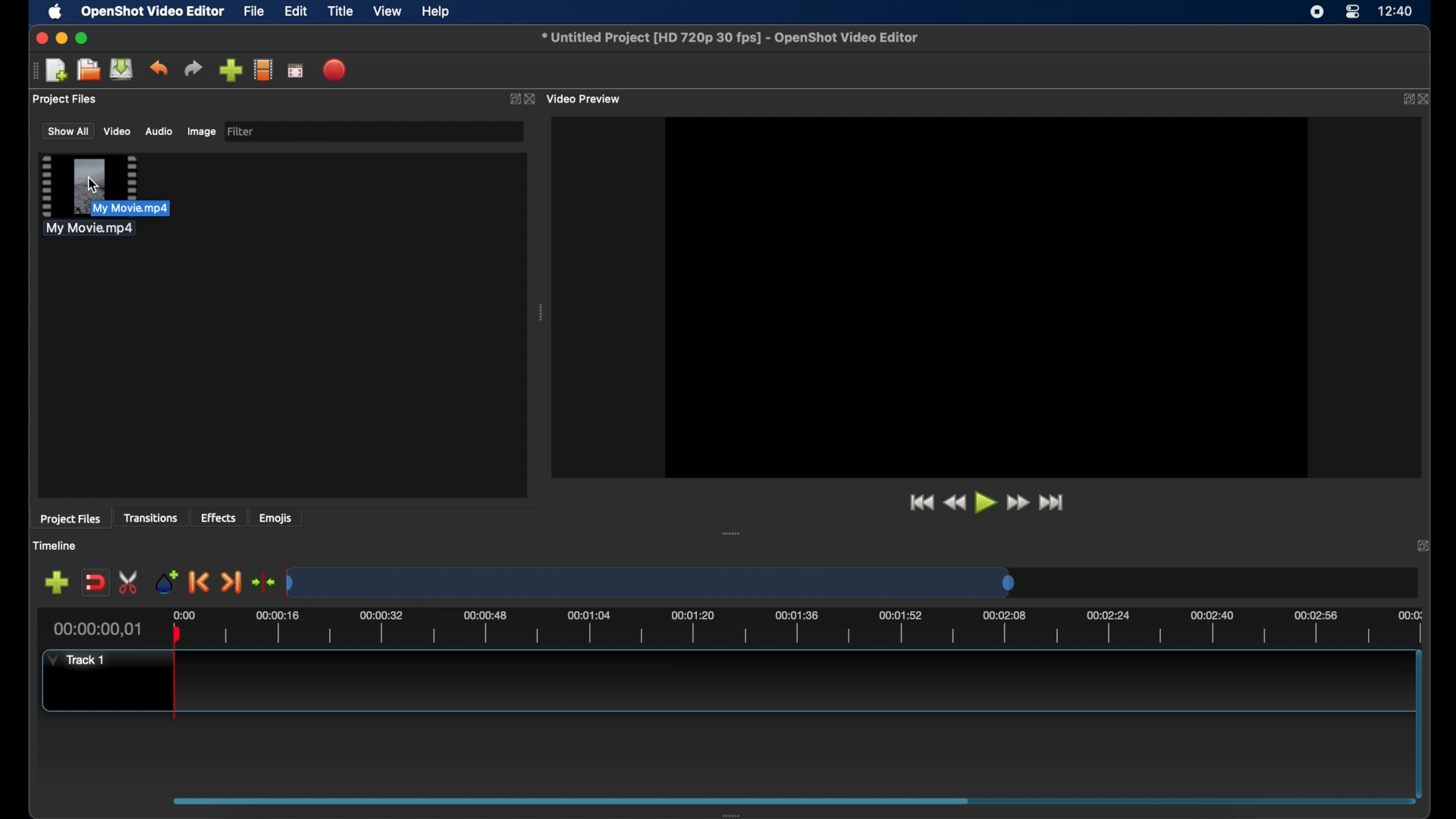  Describe the element at coordinates (336, 70) in the screenshot. I see `export video` at that location.